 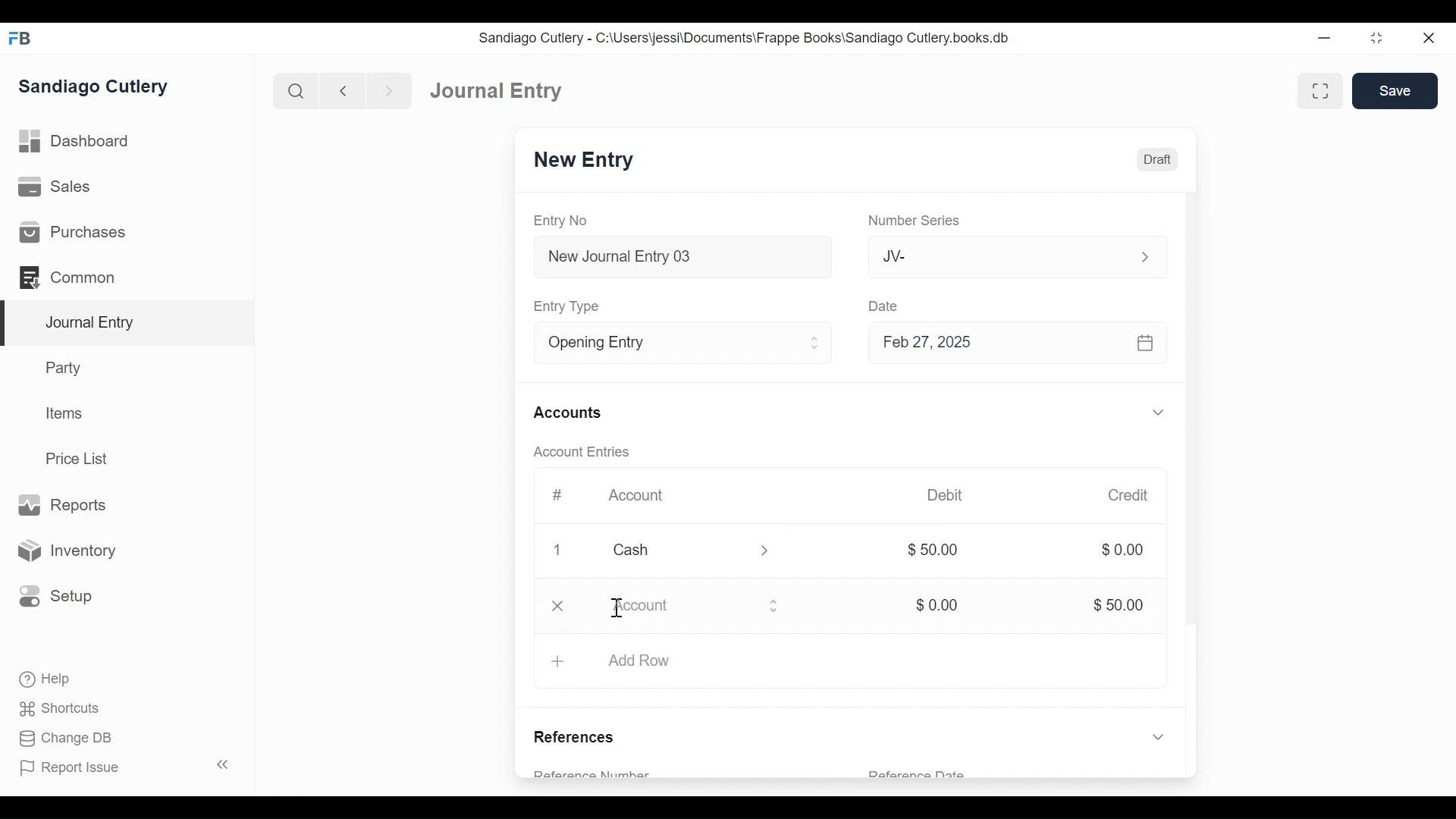 What do you see at coordinates (80, 458) in the screenshot?
I see `Price List` at bounding box center [80, 458].